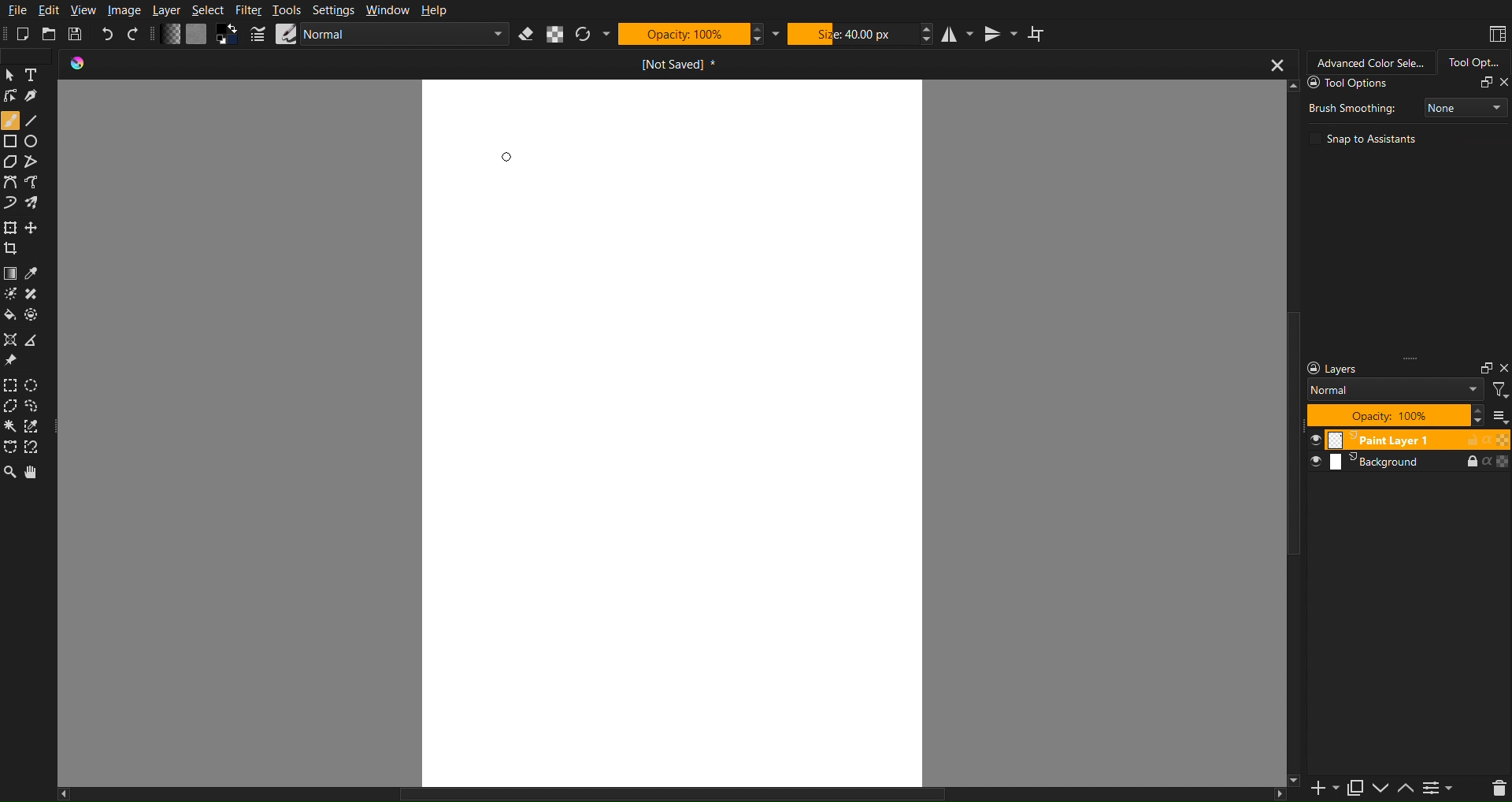 This screenshot has height=802, width=1512. Describe the element at coordinates (199, 35) in the screenshot. I see `Color Settings` at that location.